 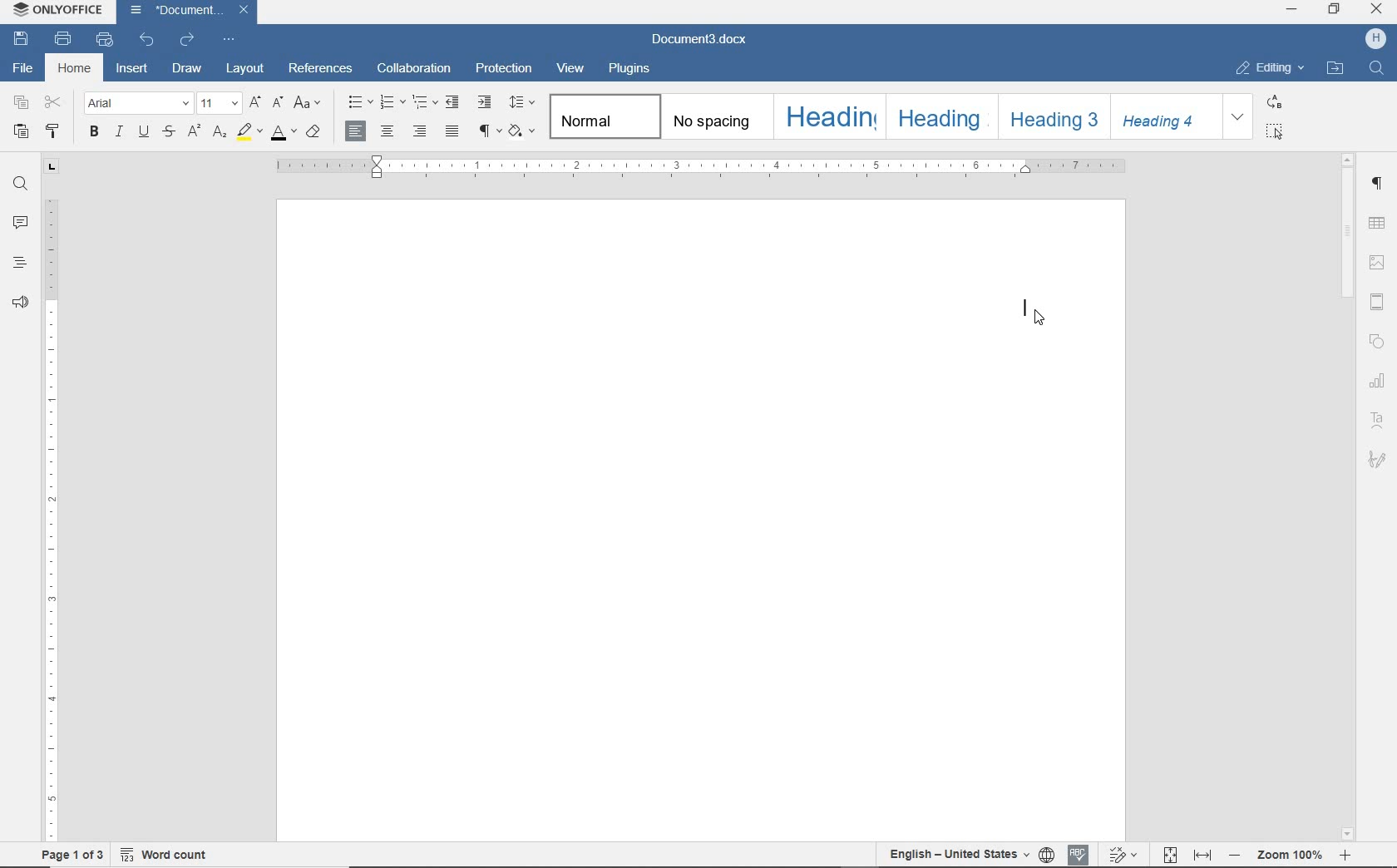 I want to click on COMMENTS, so click(x=20, y=221).